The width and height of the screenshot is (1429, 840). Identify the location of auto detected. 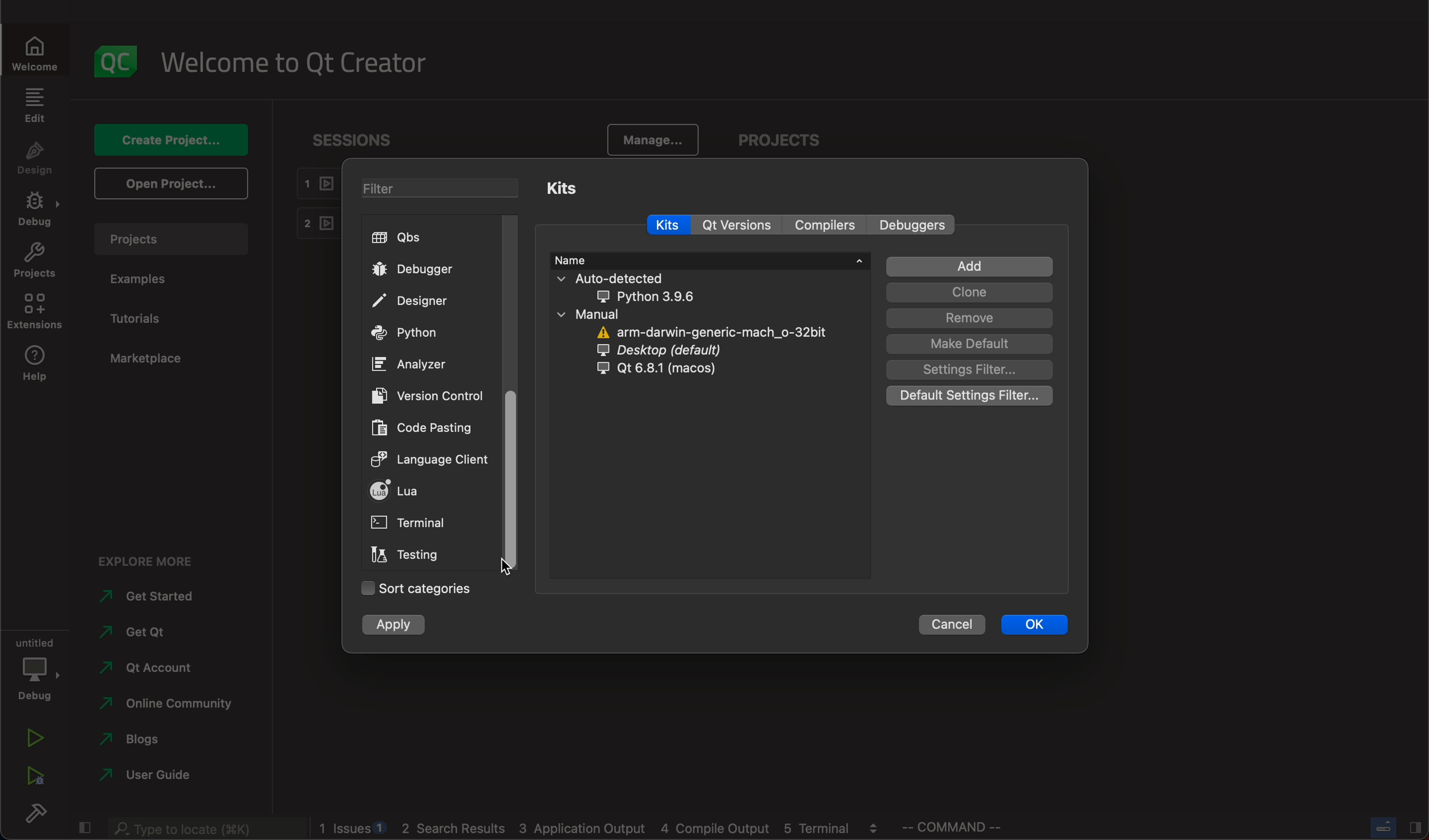
(650, 287).